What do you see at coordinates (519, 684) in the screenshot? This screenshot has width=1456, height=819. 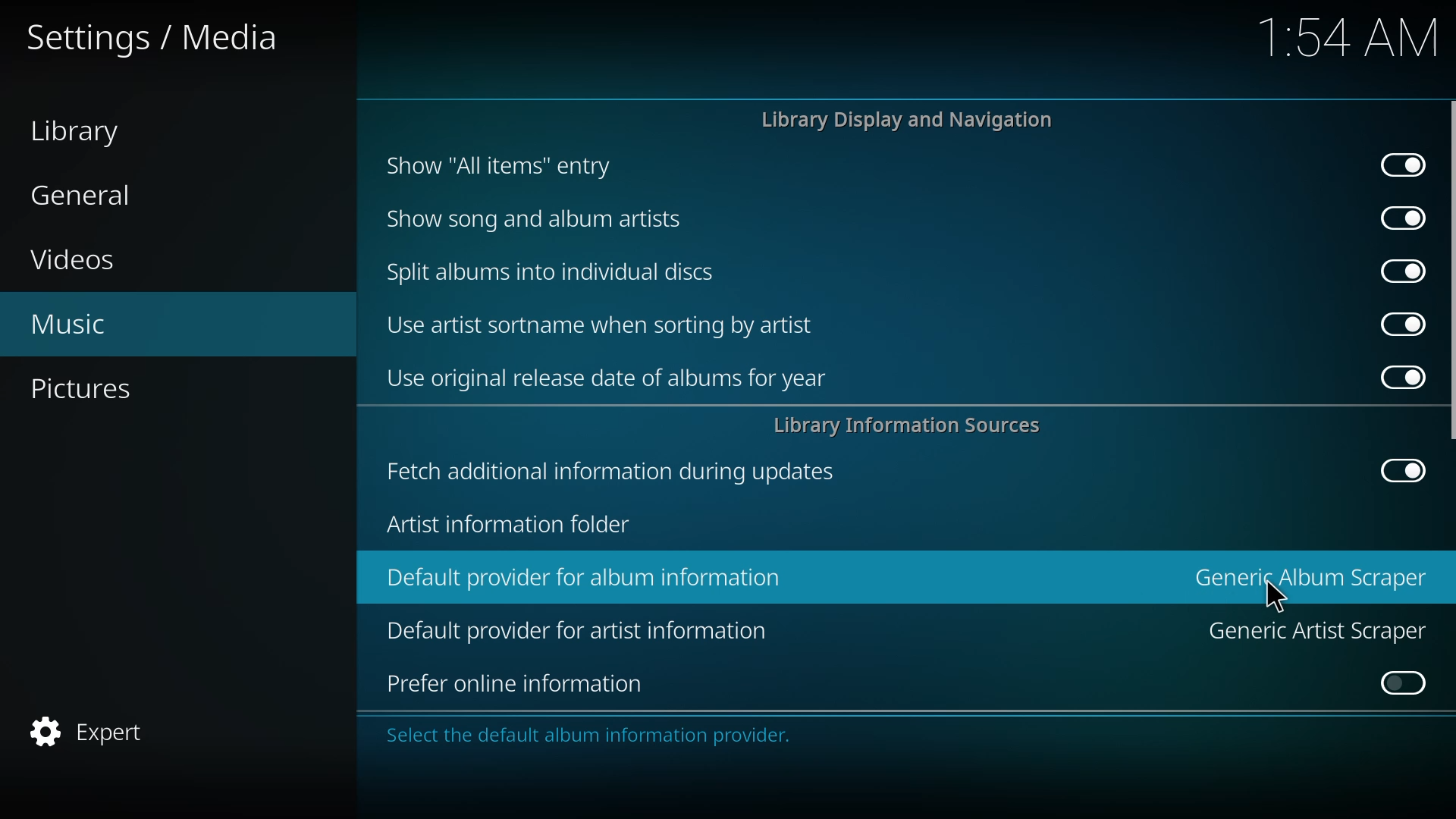 I see `prefer online information` at bounding box center [519, 684].